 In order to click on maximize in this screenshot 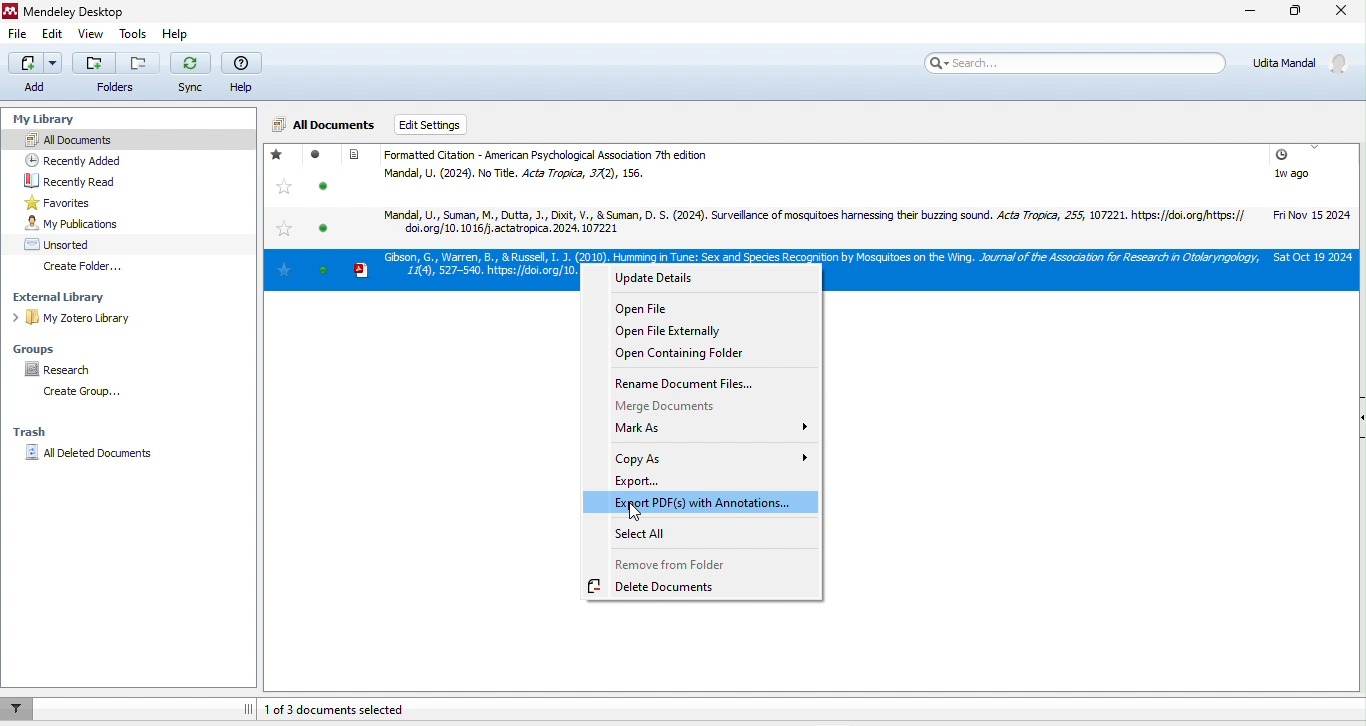, I will do `click(1297, 10)`.